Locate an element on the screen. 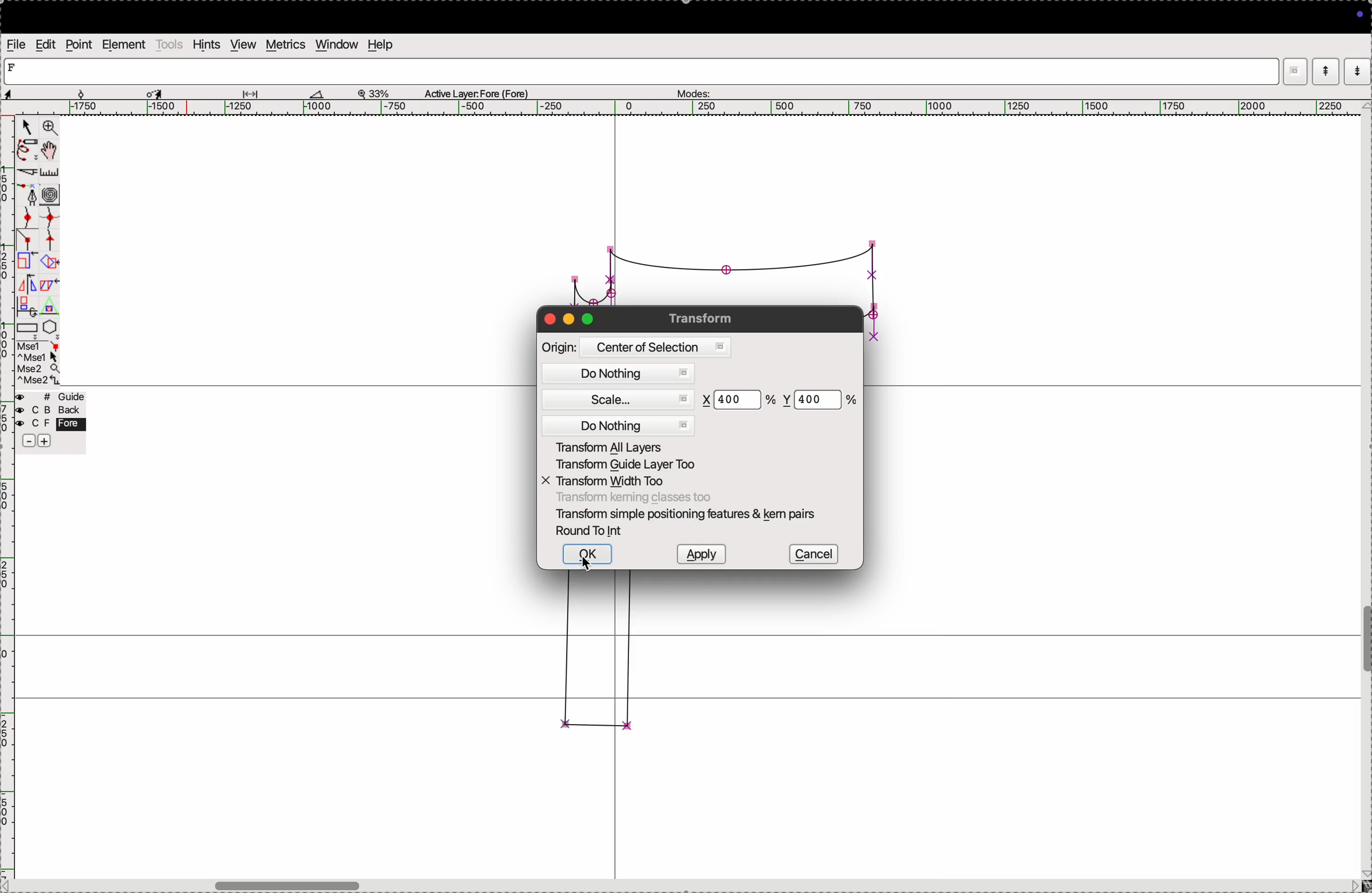 The height and width of the screenshot is (893, 1372). spline is located at coordinates (49, 230).